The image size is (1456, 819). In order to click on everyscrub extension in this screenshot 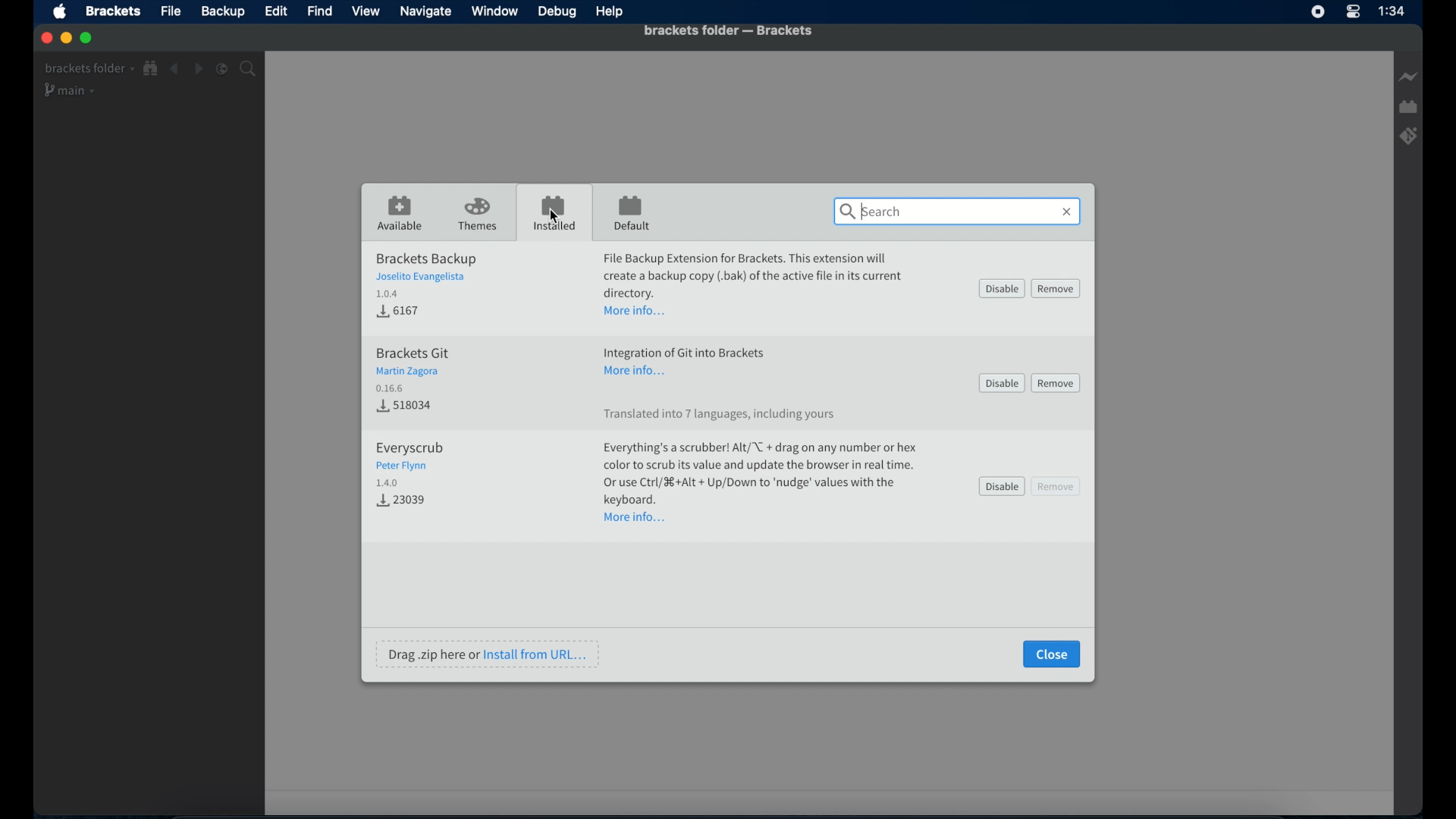, I will do `click(409, 465)`.